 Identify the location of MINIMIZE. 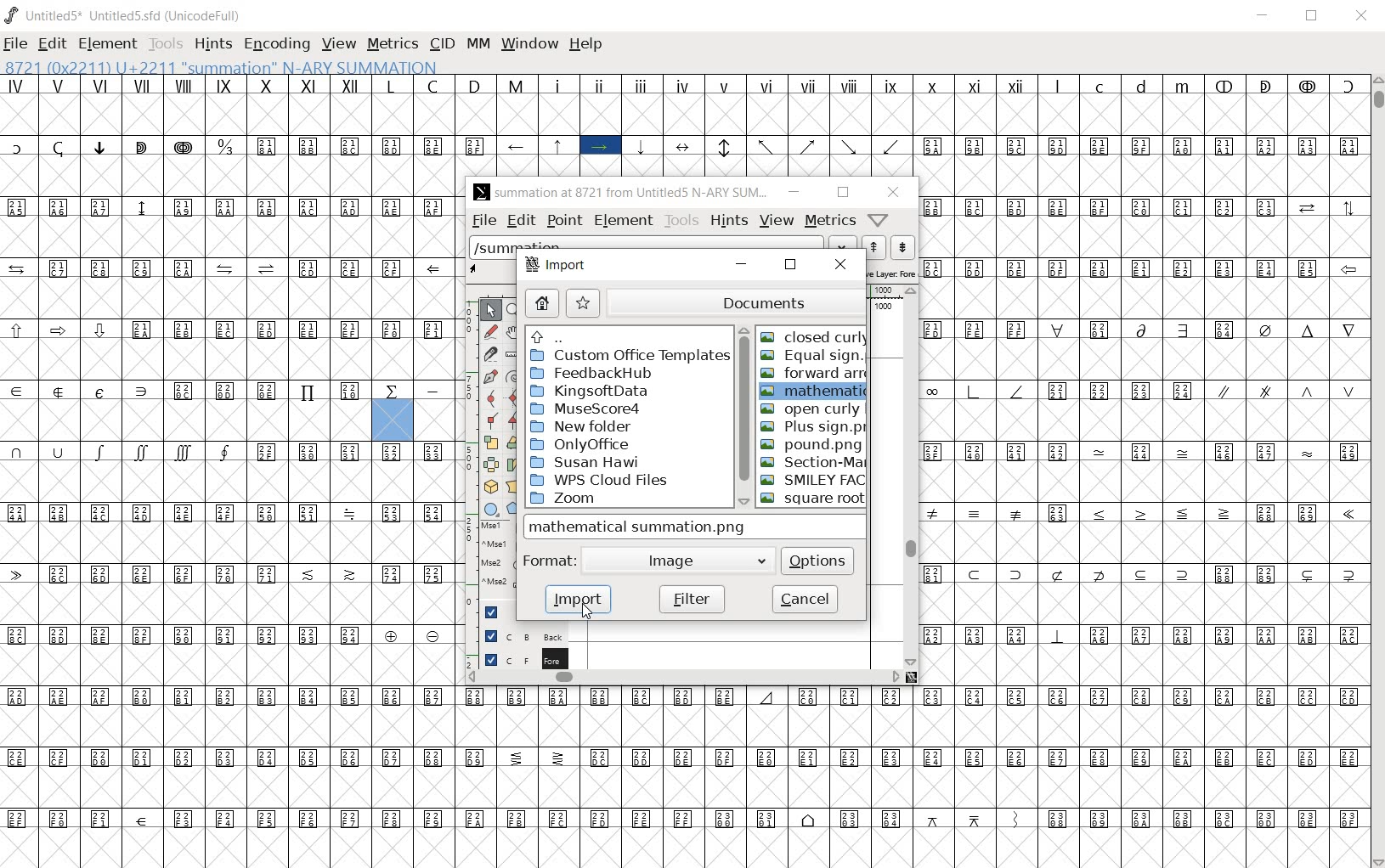
(1263, 16).